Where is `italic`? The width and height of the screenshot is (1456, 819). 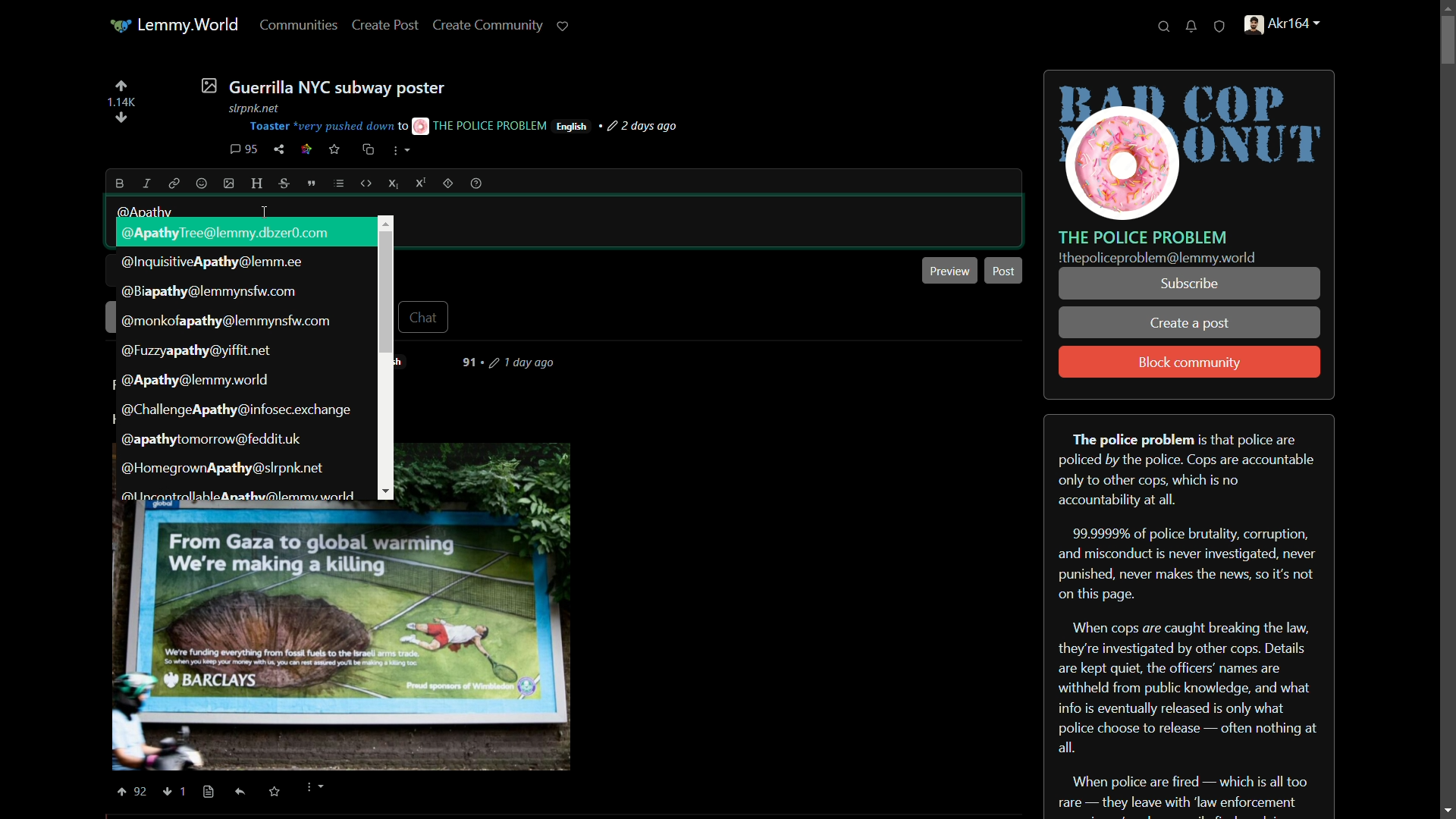 italic is located at coordinates (145, 183).